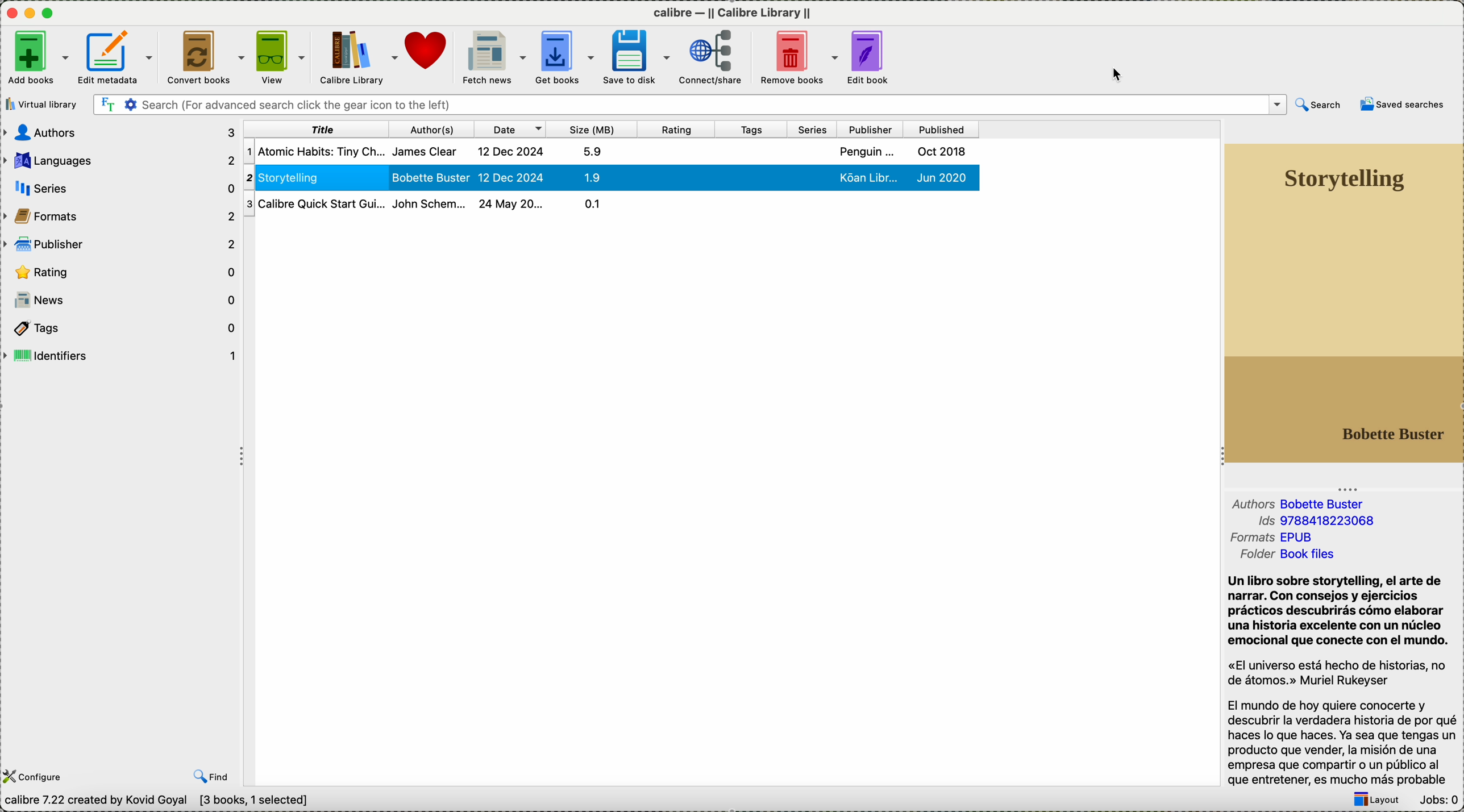 The height and width of the screenshot is (812, 1464). What do you see at coordinates (566, 56) in the screenshot?
I see `get books` at bounding box center [566, 56].